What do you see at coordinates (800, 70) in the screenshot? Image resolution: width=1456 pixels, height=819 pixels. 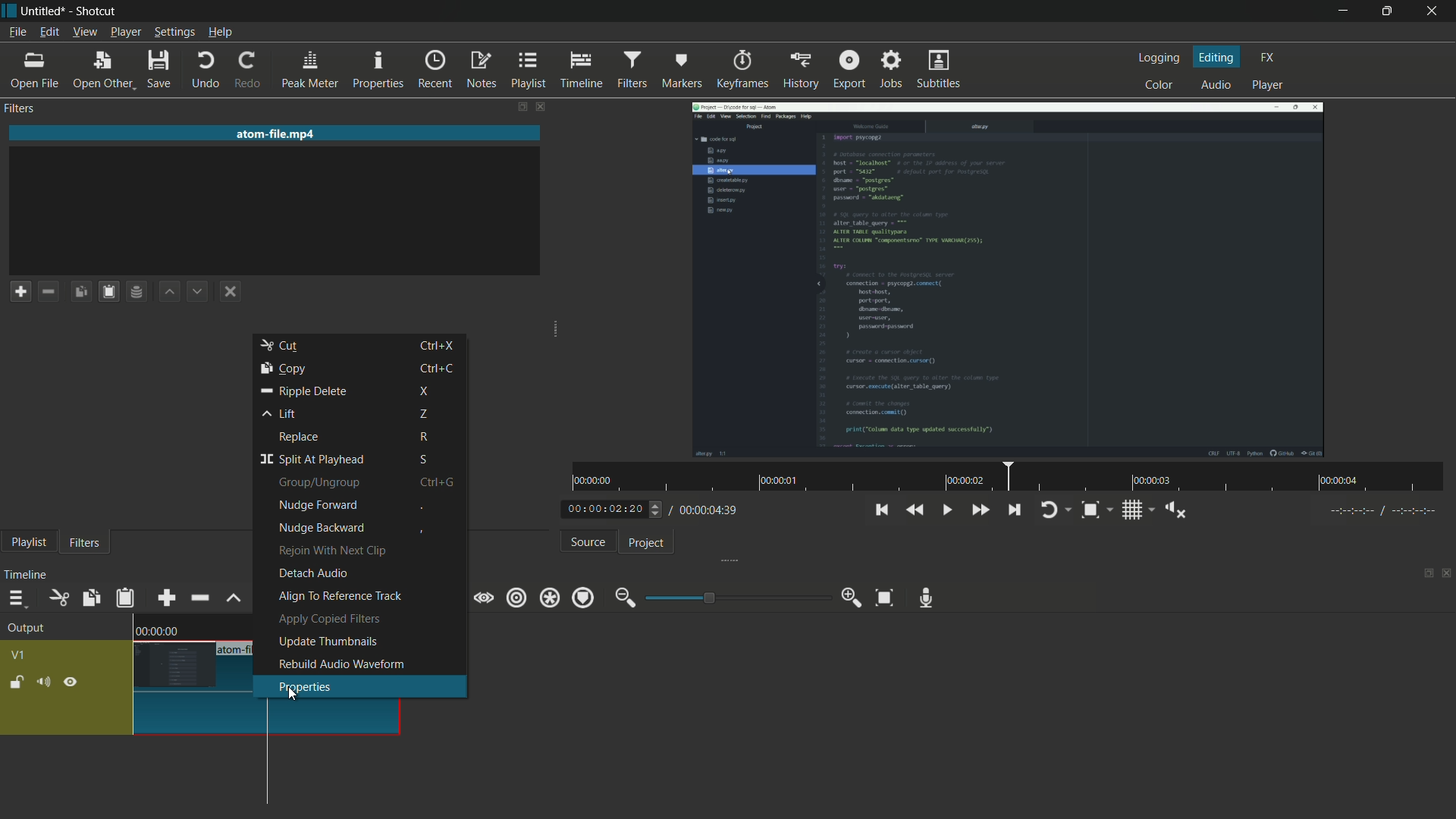 I see `history` at bounding box center [800, 70].